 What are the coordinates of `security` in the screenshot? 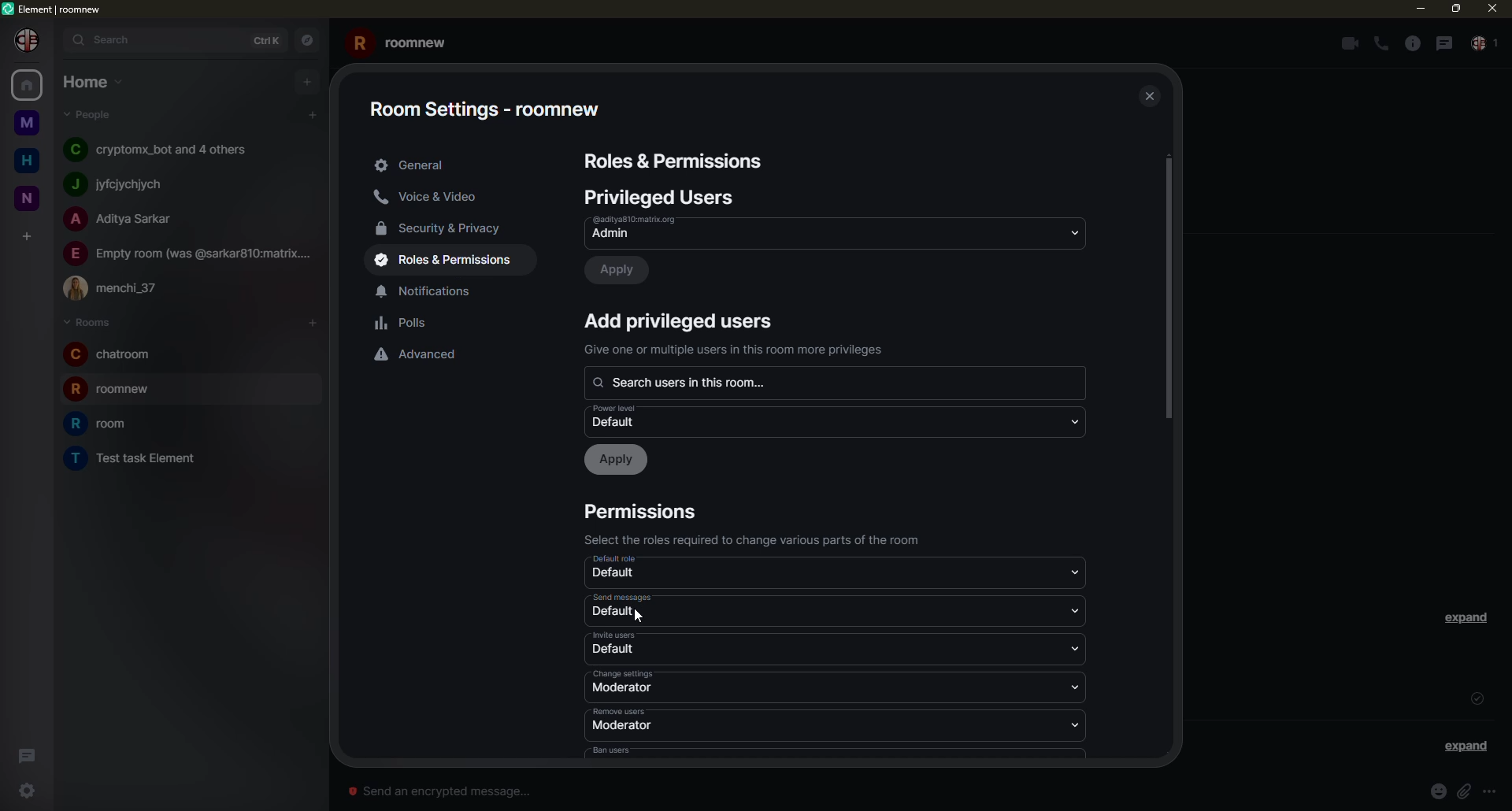 It's located at (447, 228).